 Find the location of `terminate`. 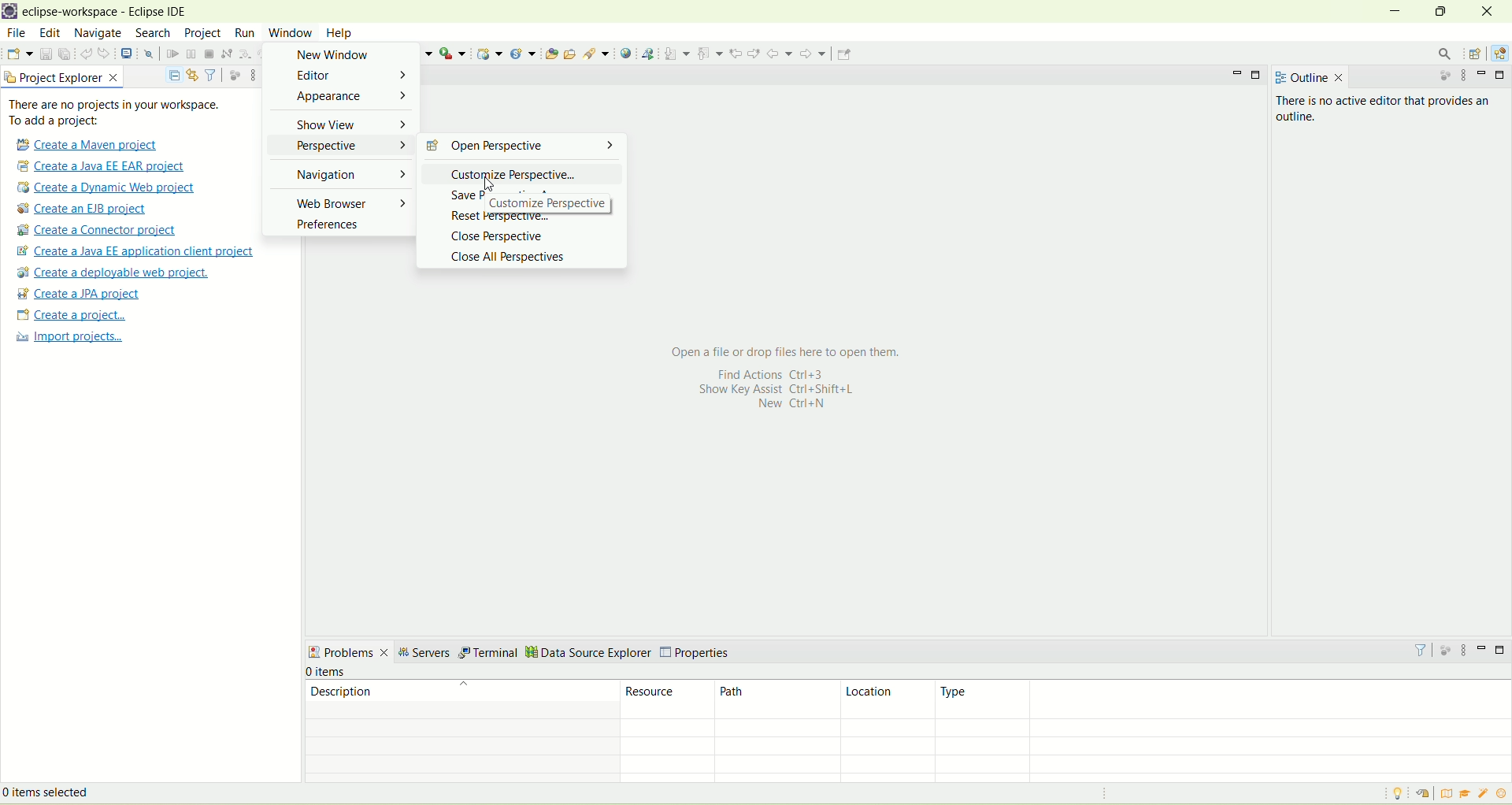

terminate is located at coordinates (209, 54).